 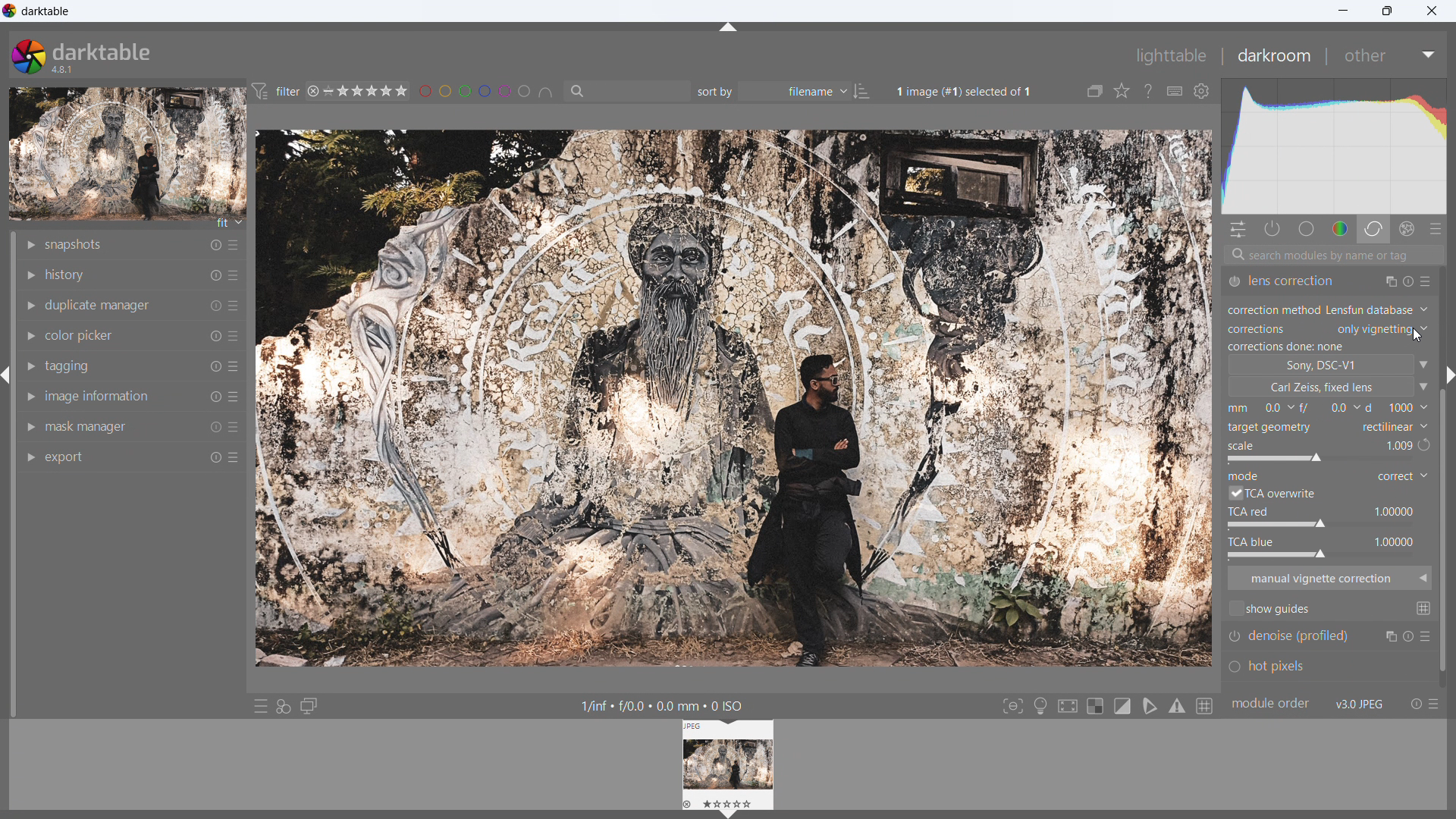 What do you see at coordinates (375, 90) in the screenshot?
I see `range rating` at bounding box center [375, 90].